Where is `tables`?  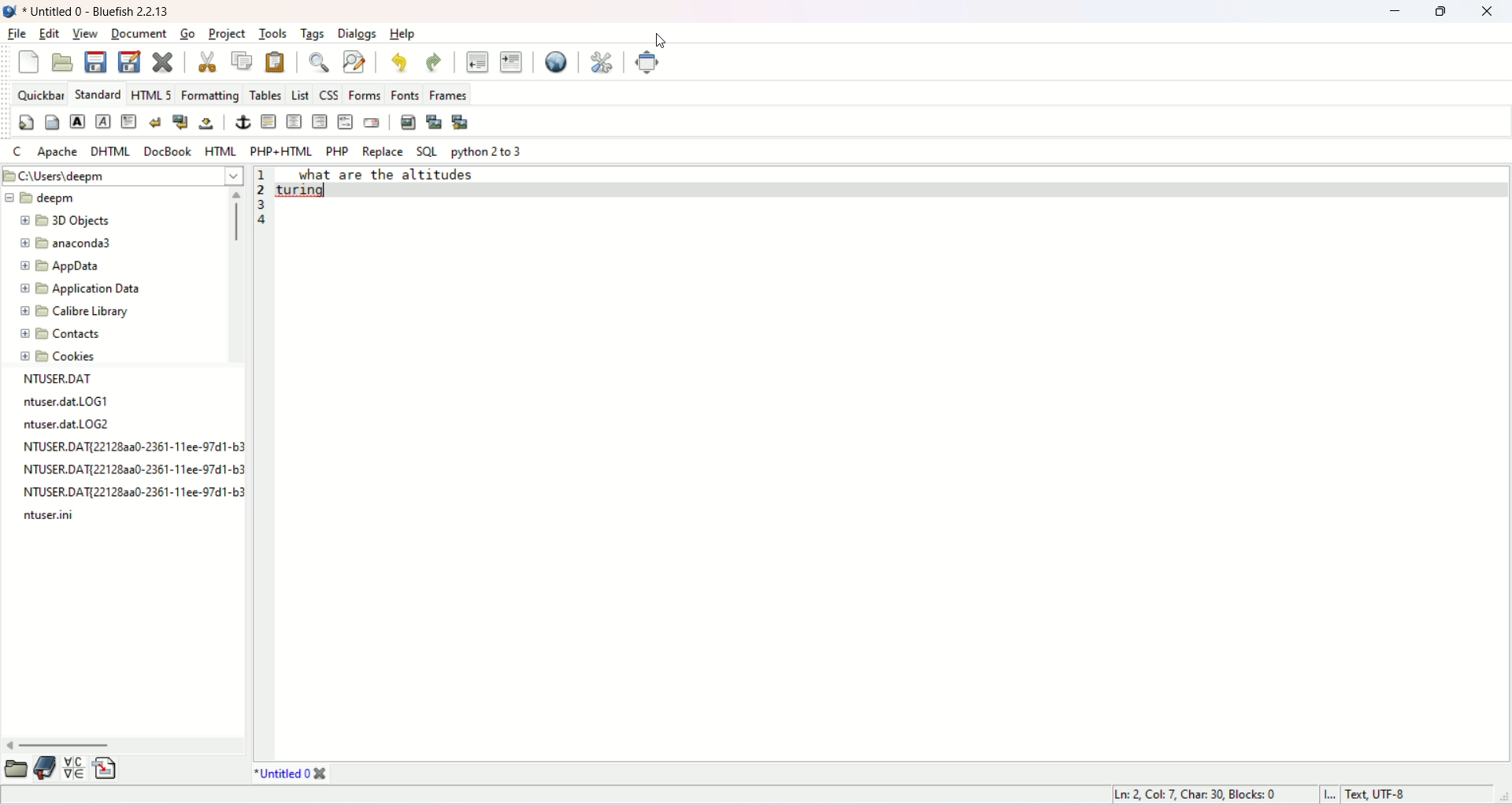 tables is located at coordinates (264, 95).